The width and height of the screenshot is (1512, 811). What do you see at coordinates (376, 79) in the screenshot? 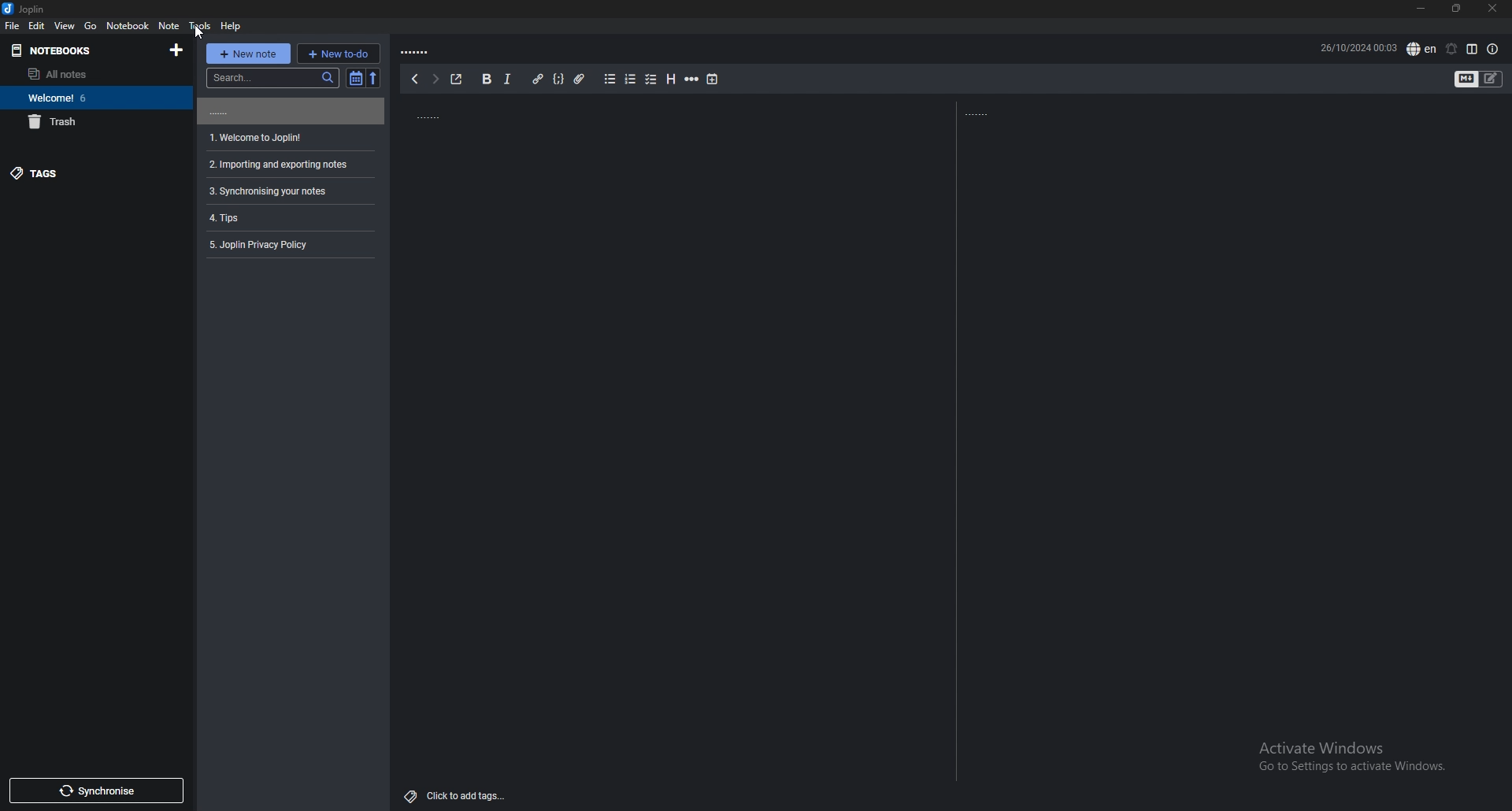
I see `reverse sort order` at bounding box center [376, 79].